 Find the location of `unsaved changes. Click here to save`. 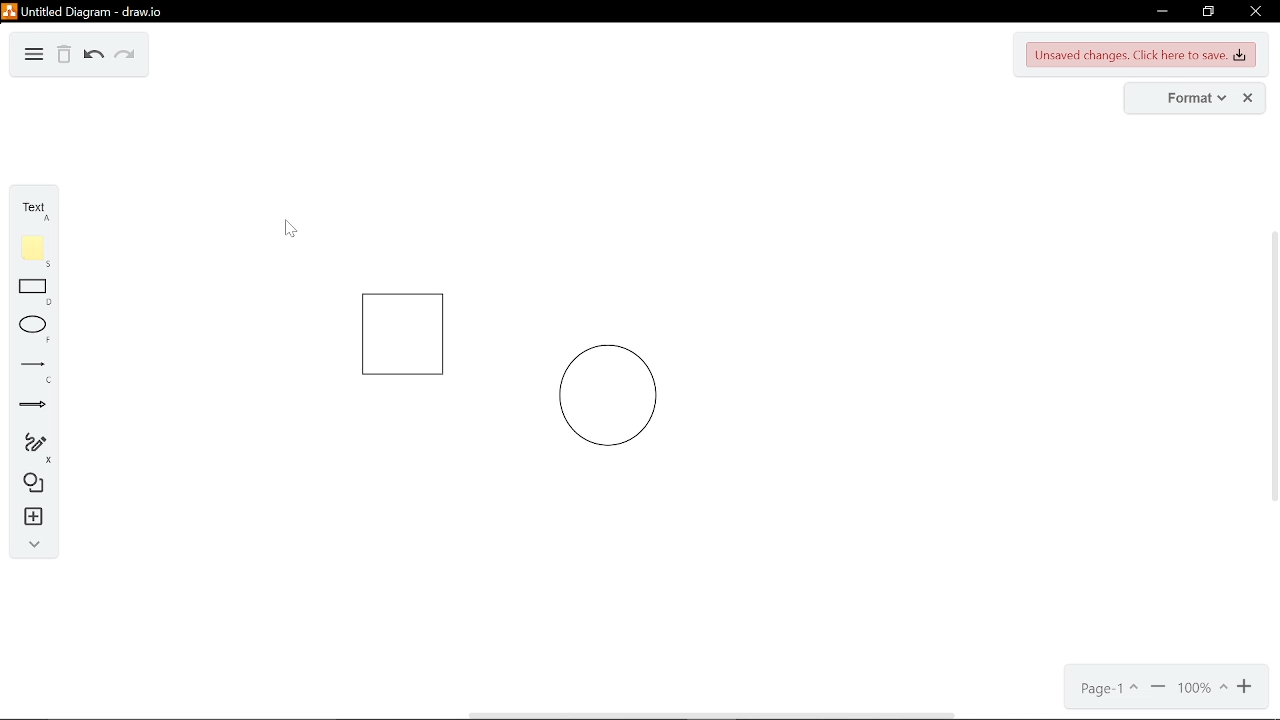

unsaved changes. Click here to save is located at coordinates (1142, 55).